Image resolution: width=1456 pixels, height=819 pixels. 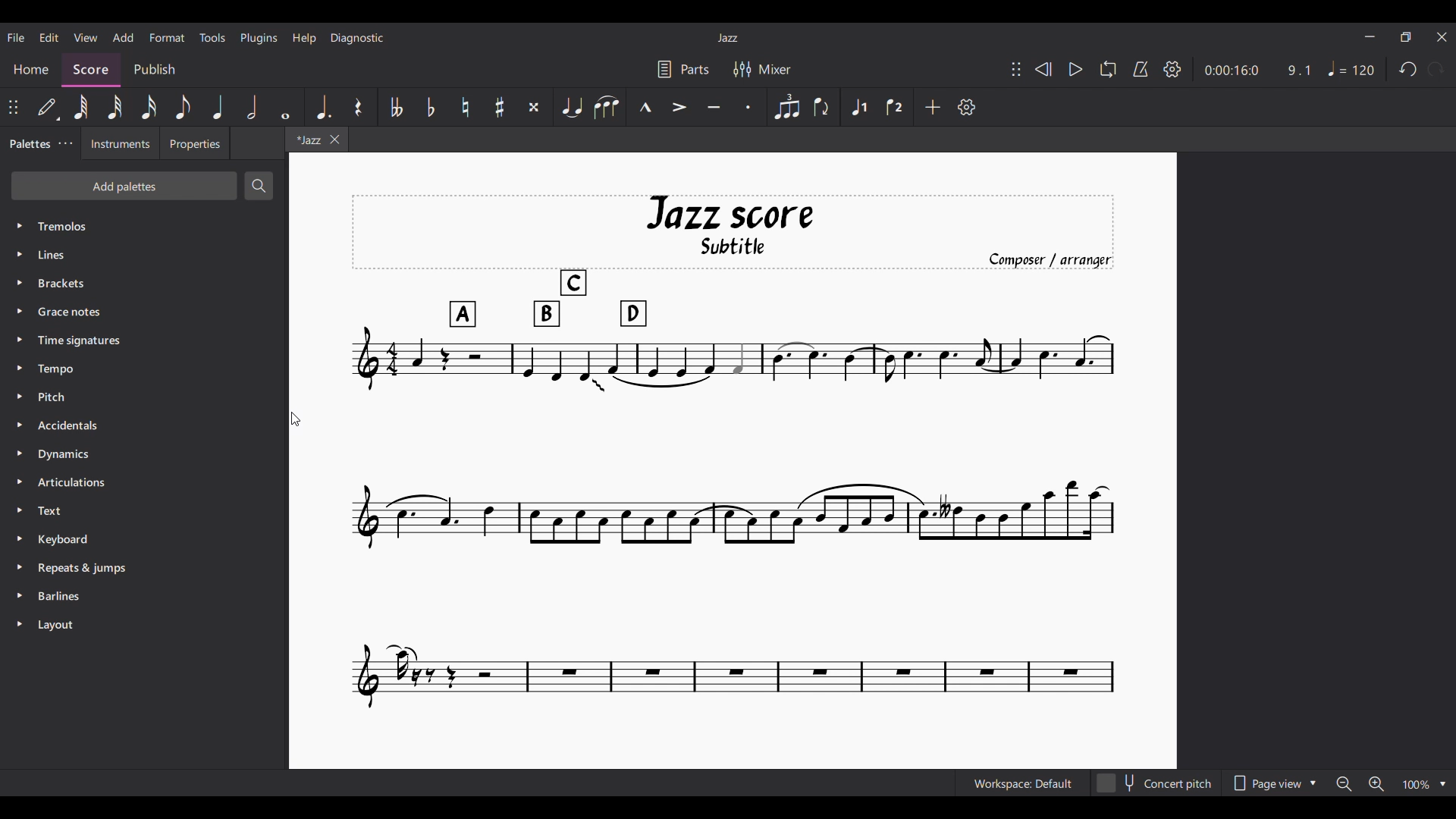 What do you see at coordinates (259, 38) in the screenshot?
I see `Plugins menu` at bounding box center [259, 38].